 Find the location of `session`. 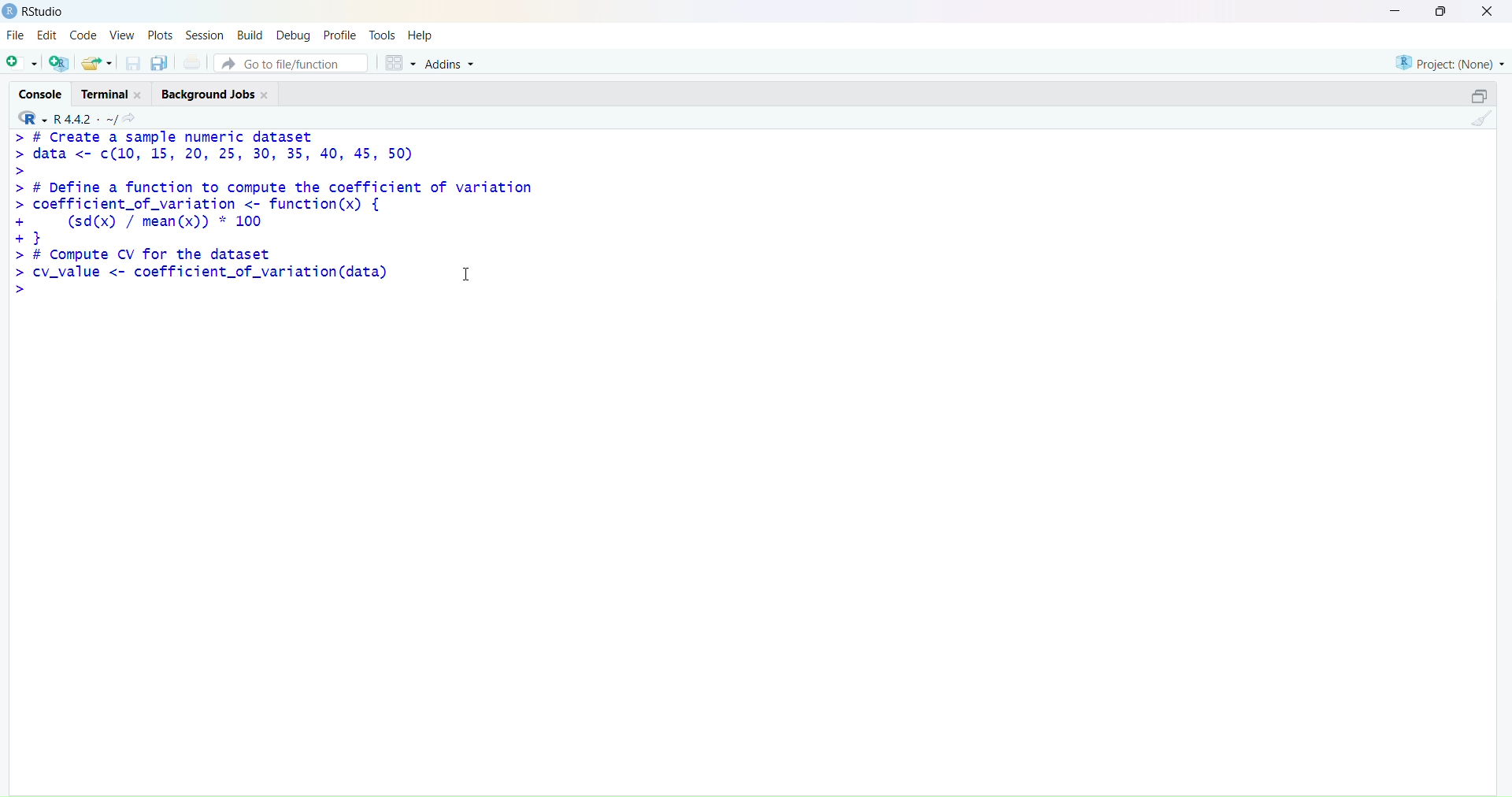

session is located at coordinates (205, 35).